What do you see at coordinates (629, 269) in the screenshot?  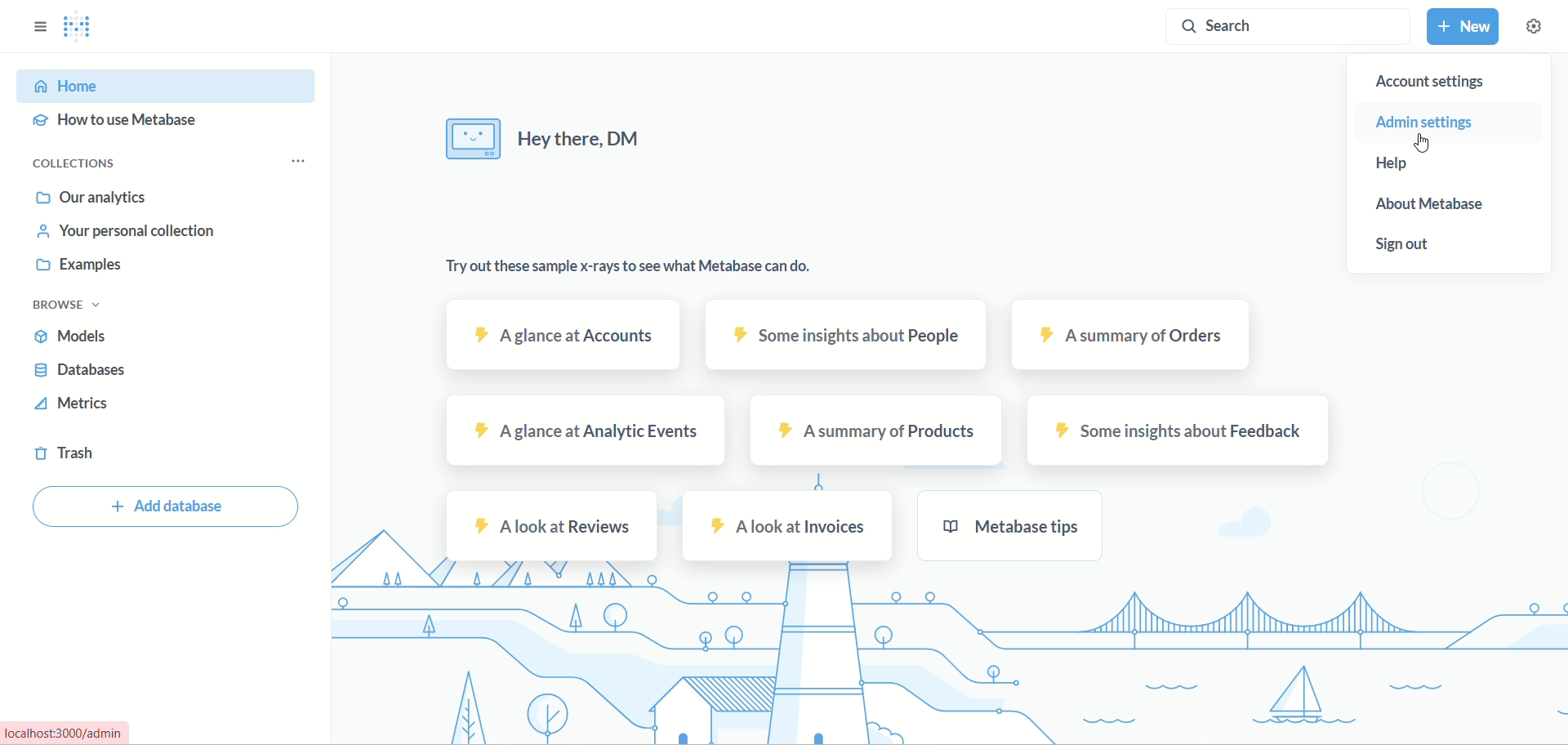 I see `text` at bounding box center [629, 269].